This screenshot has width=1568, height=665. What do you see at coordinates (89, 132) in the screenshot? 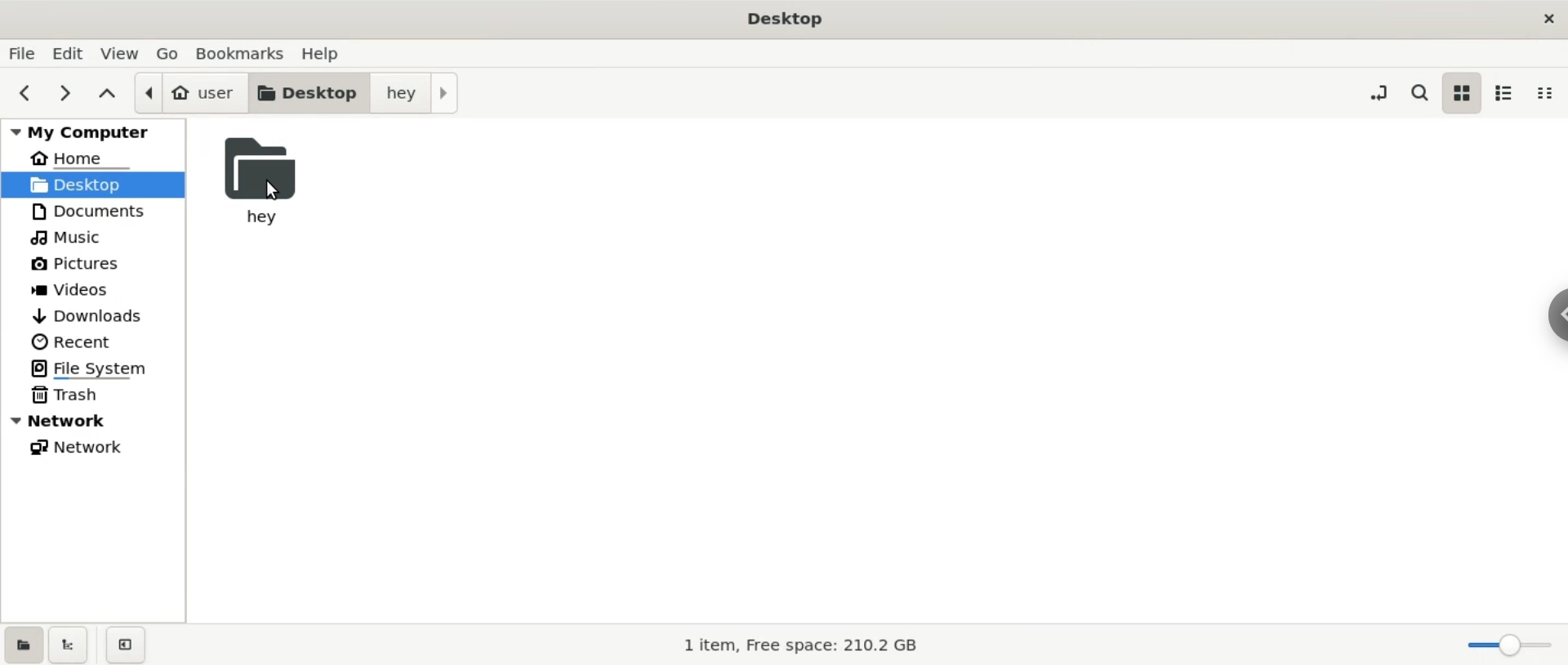
I see `my computer` at bounding box center [89, 132].